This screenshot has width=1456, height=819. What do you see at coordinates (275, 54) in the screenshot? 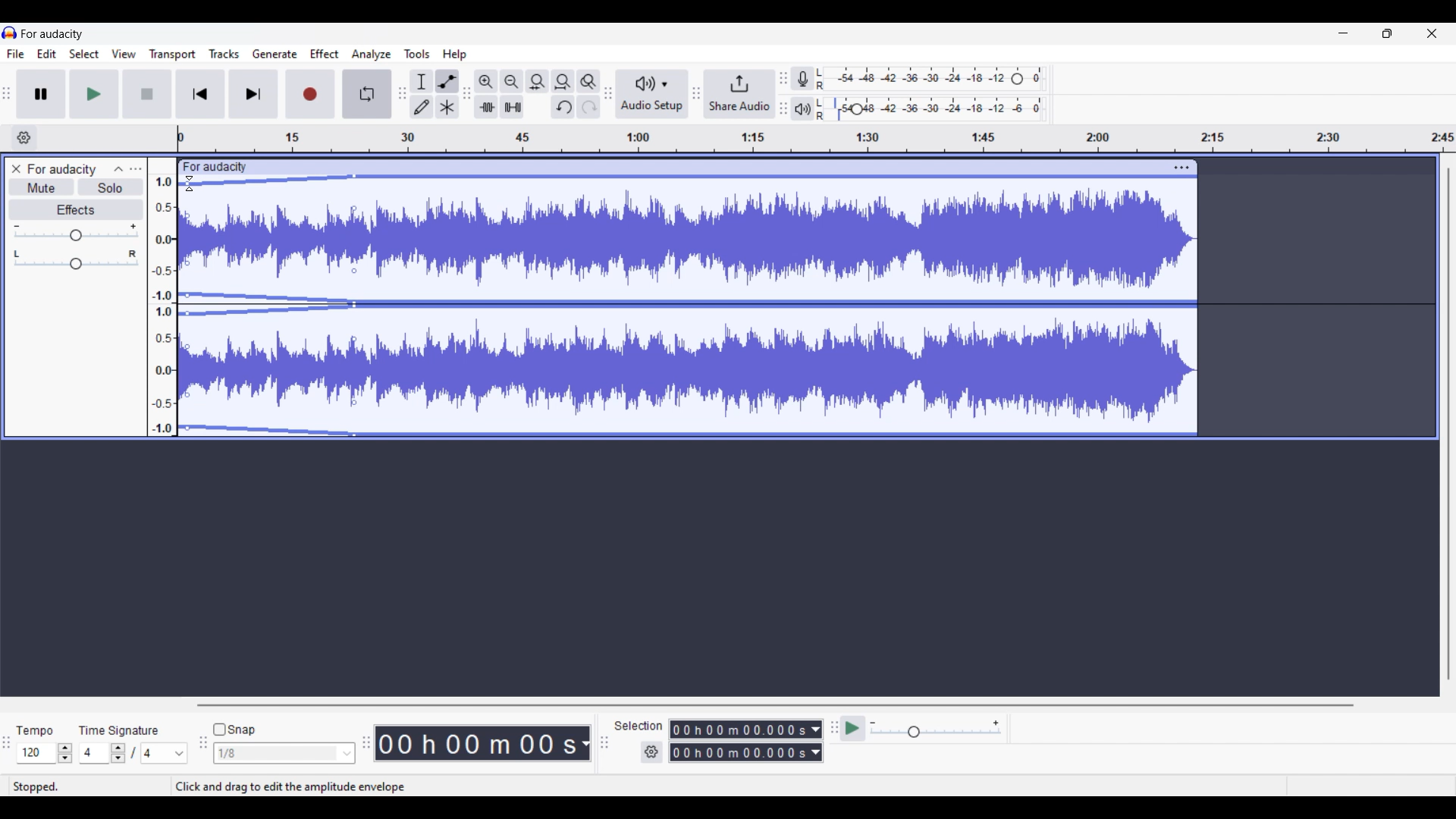
I see `Generate` at bounding box center [275, 54].